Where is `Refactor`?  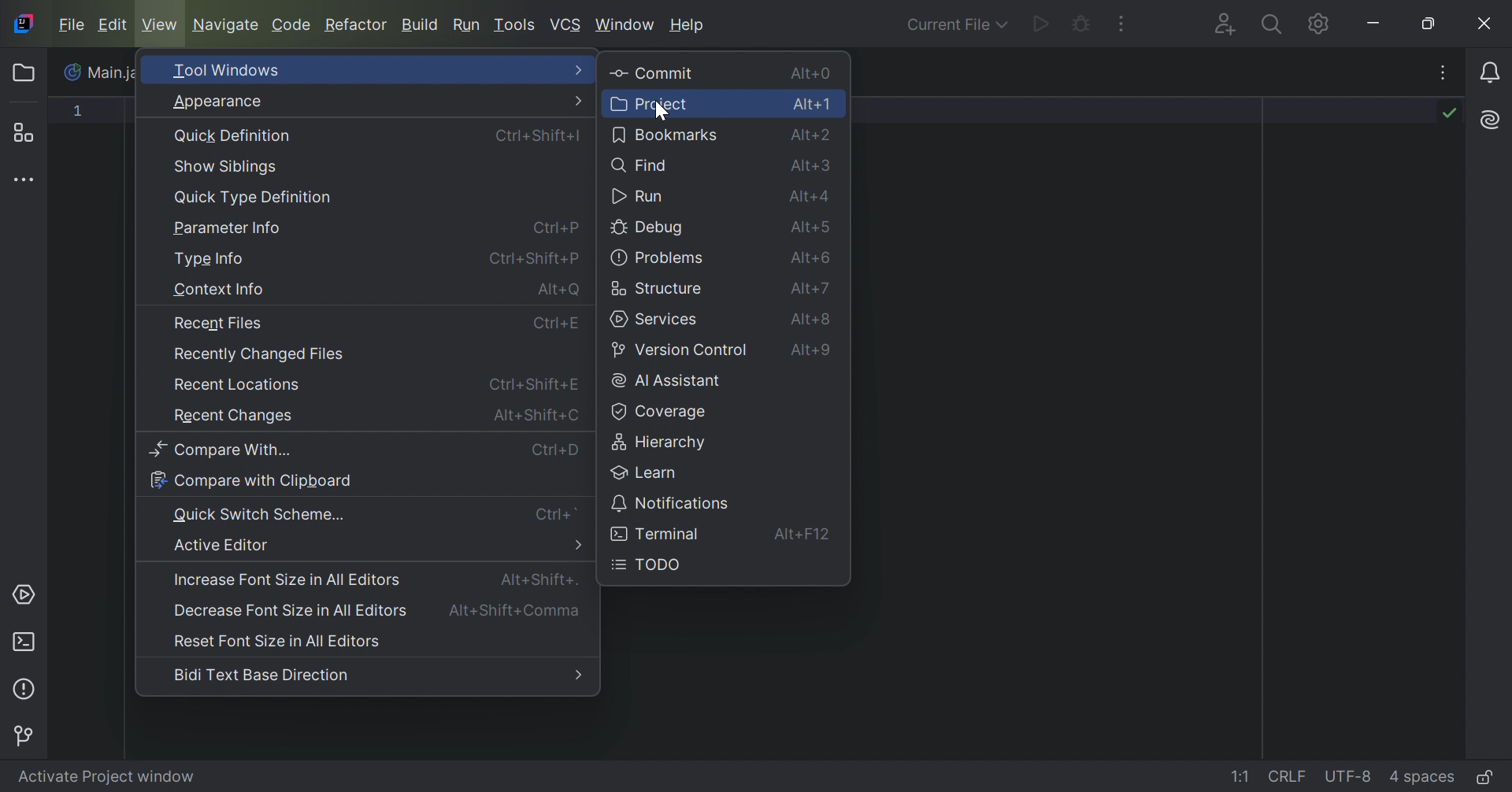
Refactor is located at coordinates (359, 26).